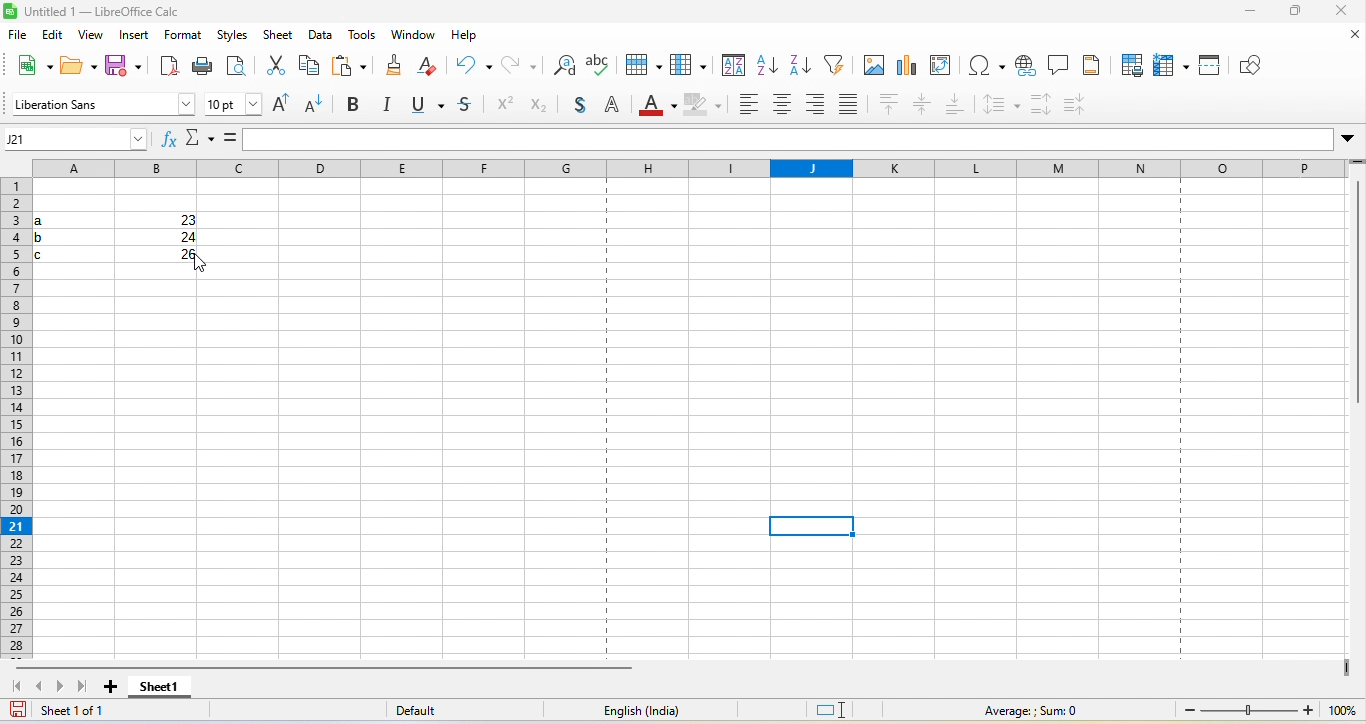 The image size is (1366, 724). I want to click on export direct as pdf, so click(164, 68).